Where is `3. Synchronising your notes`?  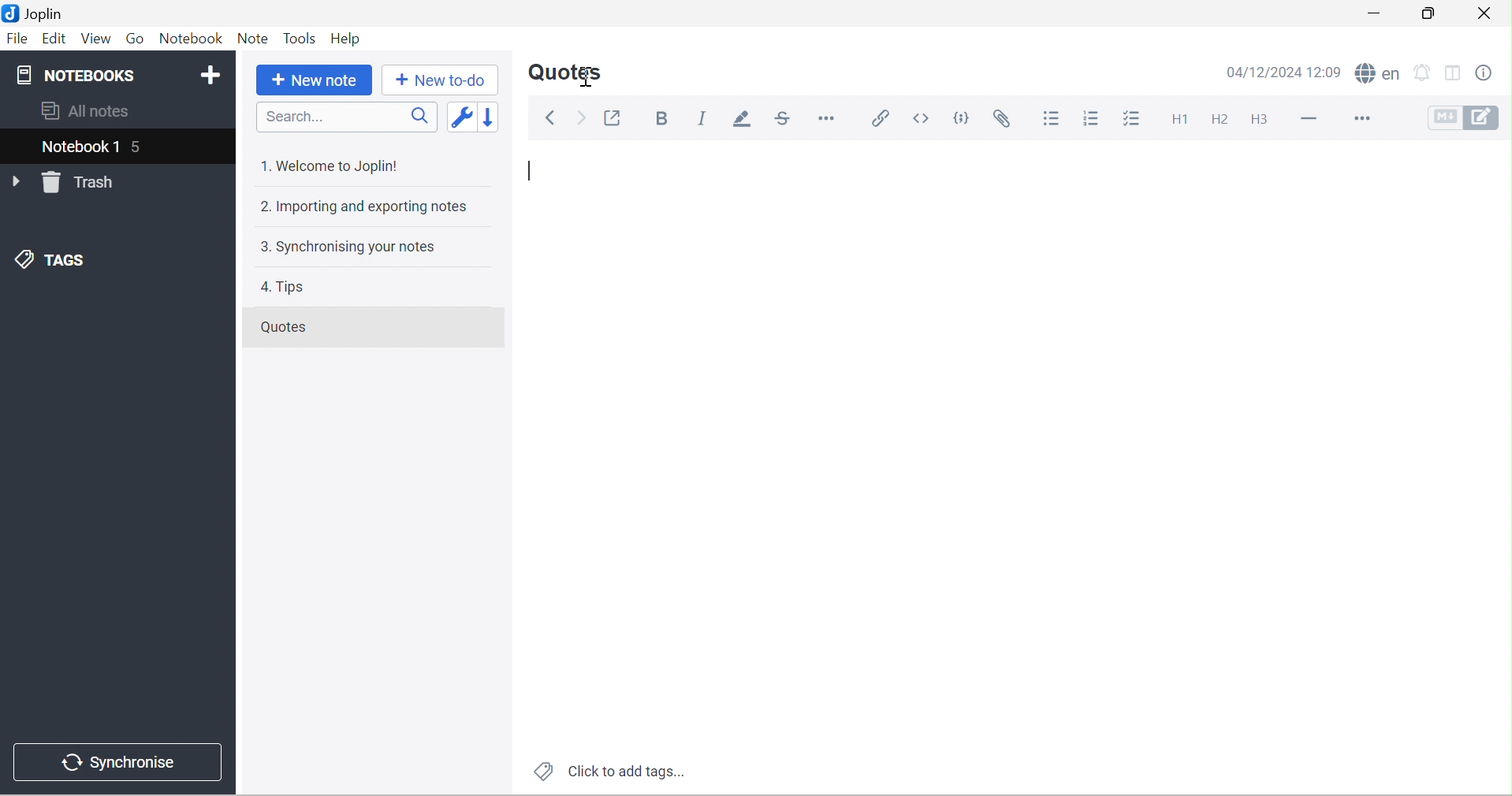
3. Synchronising your notes is located at coordinates (357, 247).